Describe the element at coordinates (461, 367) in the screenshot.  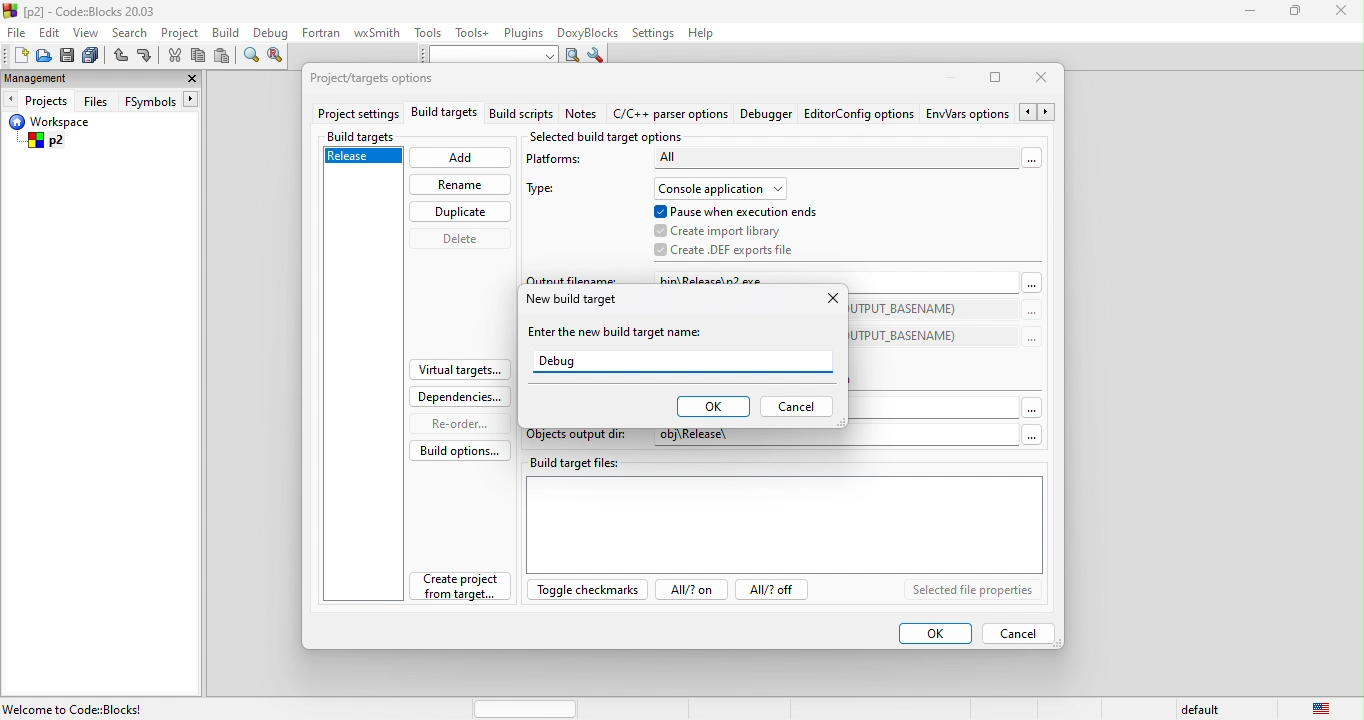
I see `virtual targets` at that location.